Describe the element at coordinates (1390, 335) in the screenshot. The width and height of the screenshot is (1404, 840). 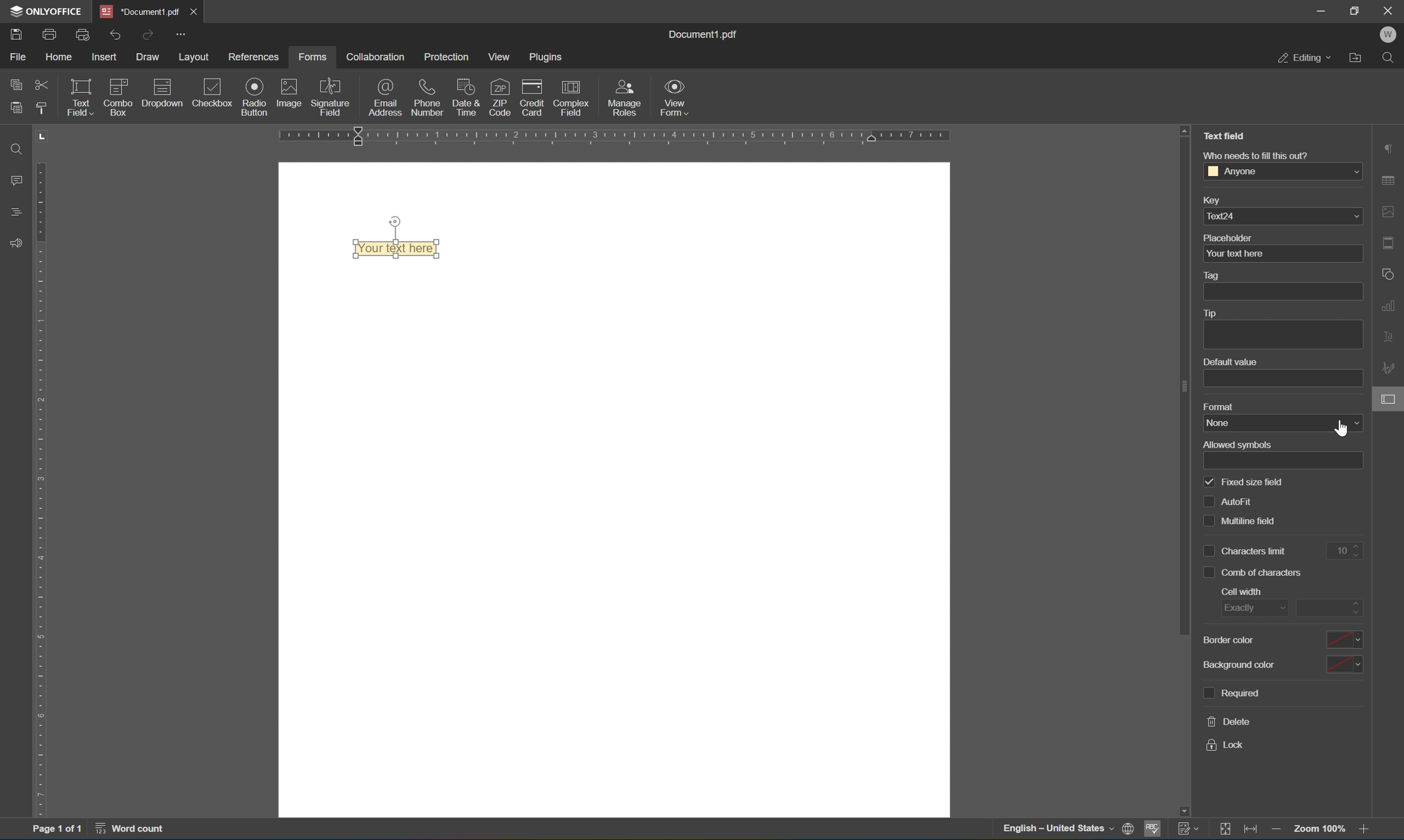
I see `text art settings` at that location.